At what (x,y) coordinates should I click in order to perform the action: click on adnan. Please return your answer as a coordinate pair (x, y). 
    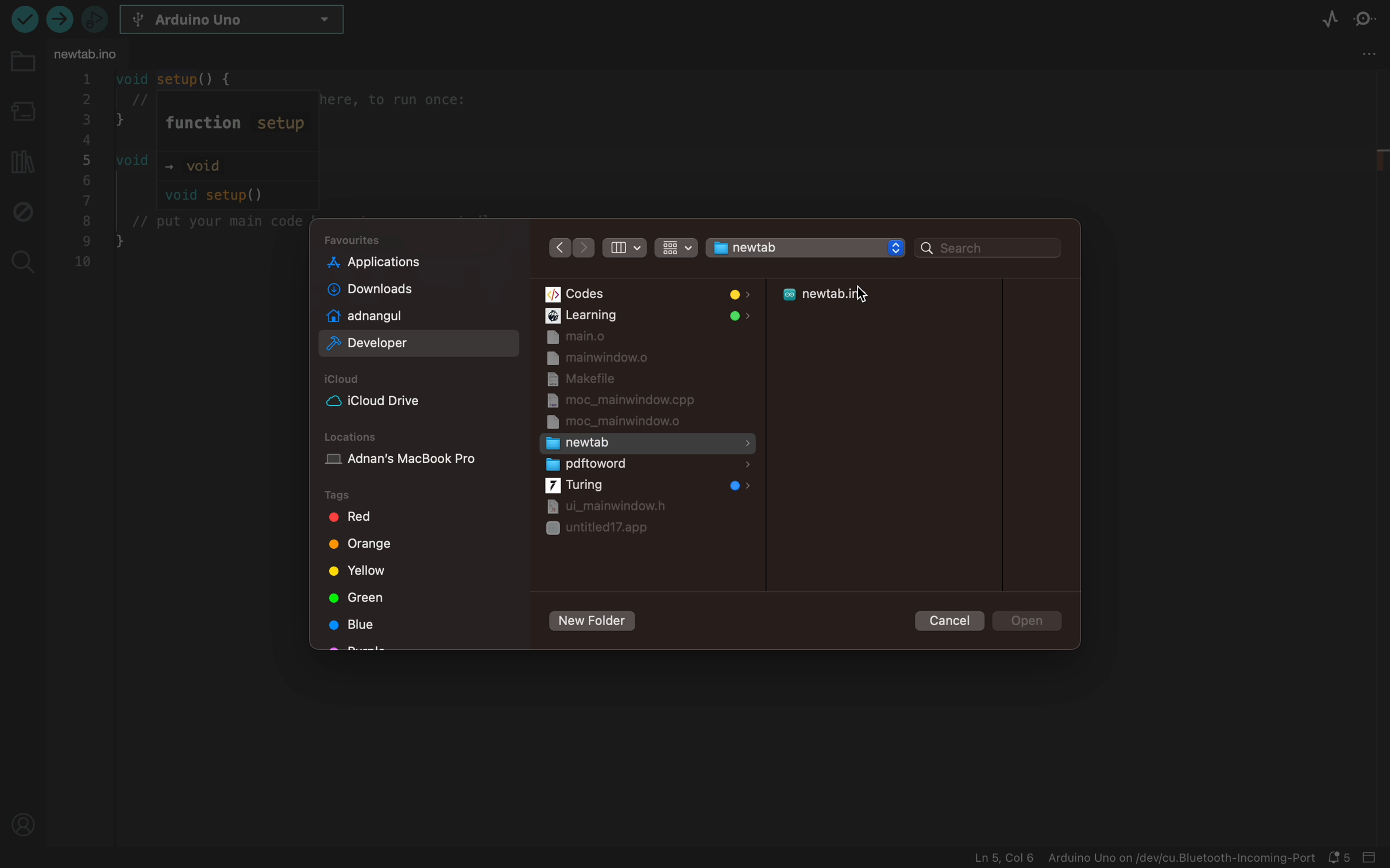
    Looking at the image, I should click on (400, 316).